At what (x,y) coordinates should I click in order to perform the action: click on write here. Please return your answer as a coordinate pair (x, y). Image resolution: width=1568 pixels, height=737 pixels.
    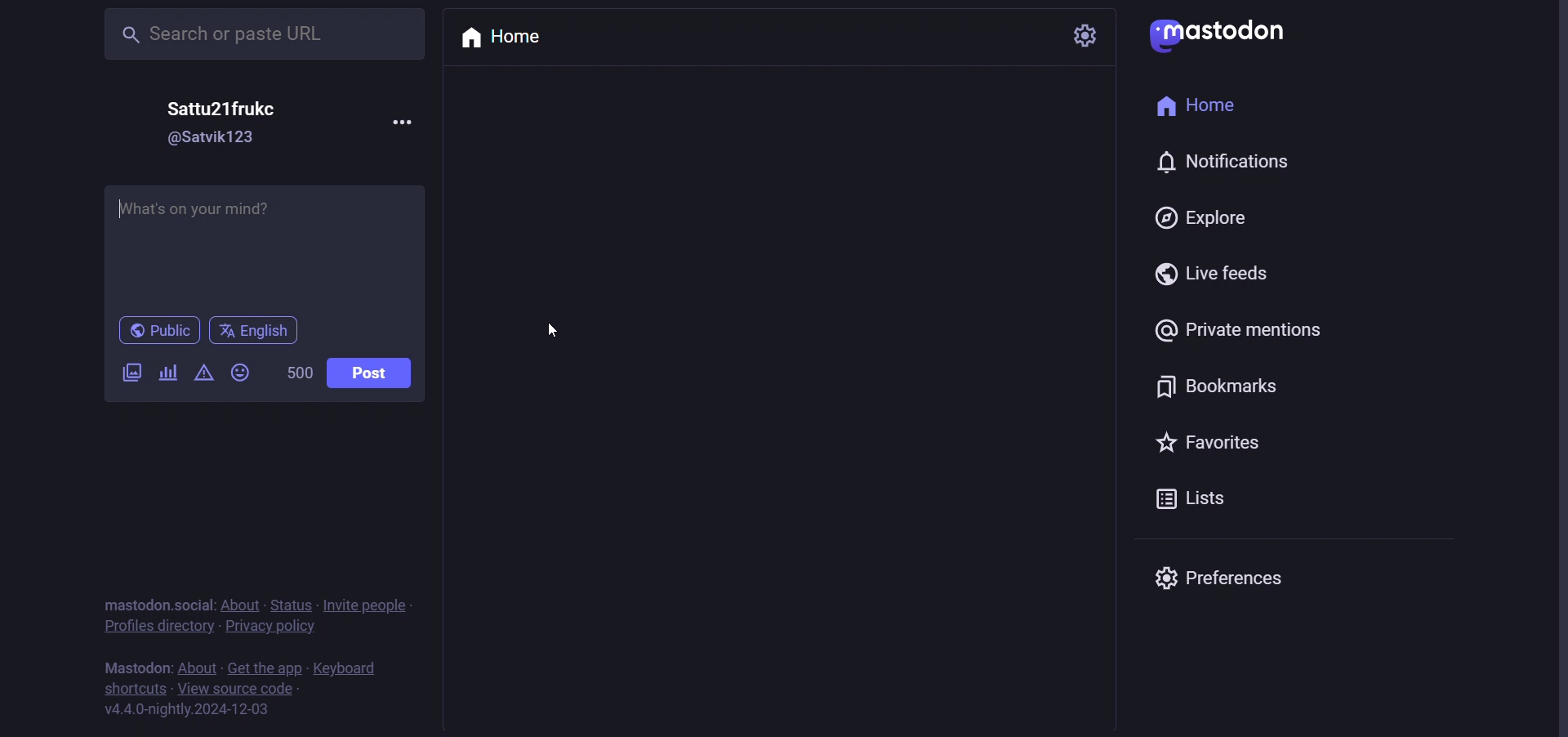
    Looking at the image, I should click on (264, 242).